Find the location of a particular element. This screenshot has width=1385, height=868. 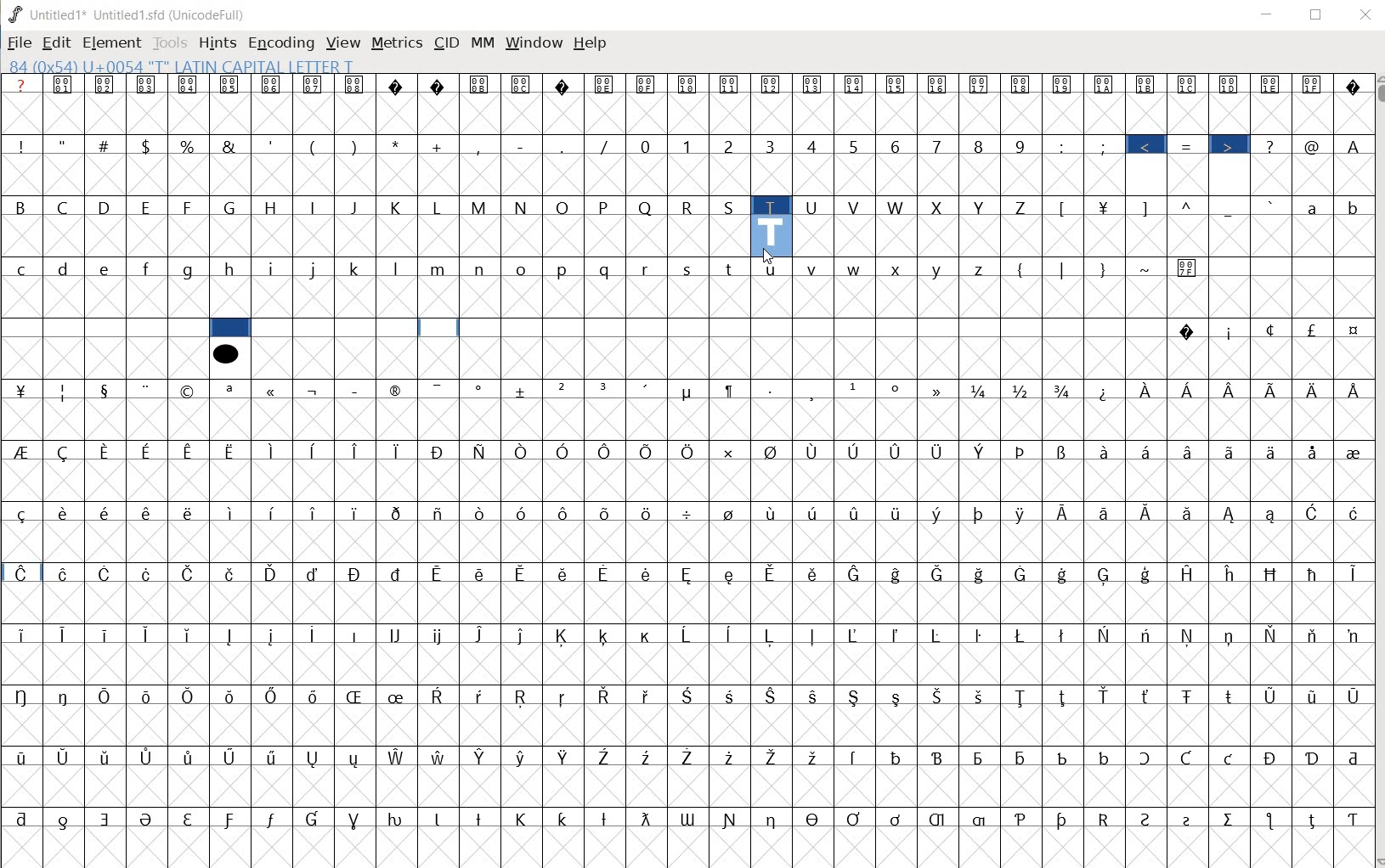

Symbol is located at coordinates (607, 697).